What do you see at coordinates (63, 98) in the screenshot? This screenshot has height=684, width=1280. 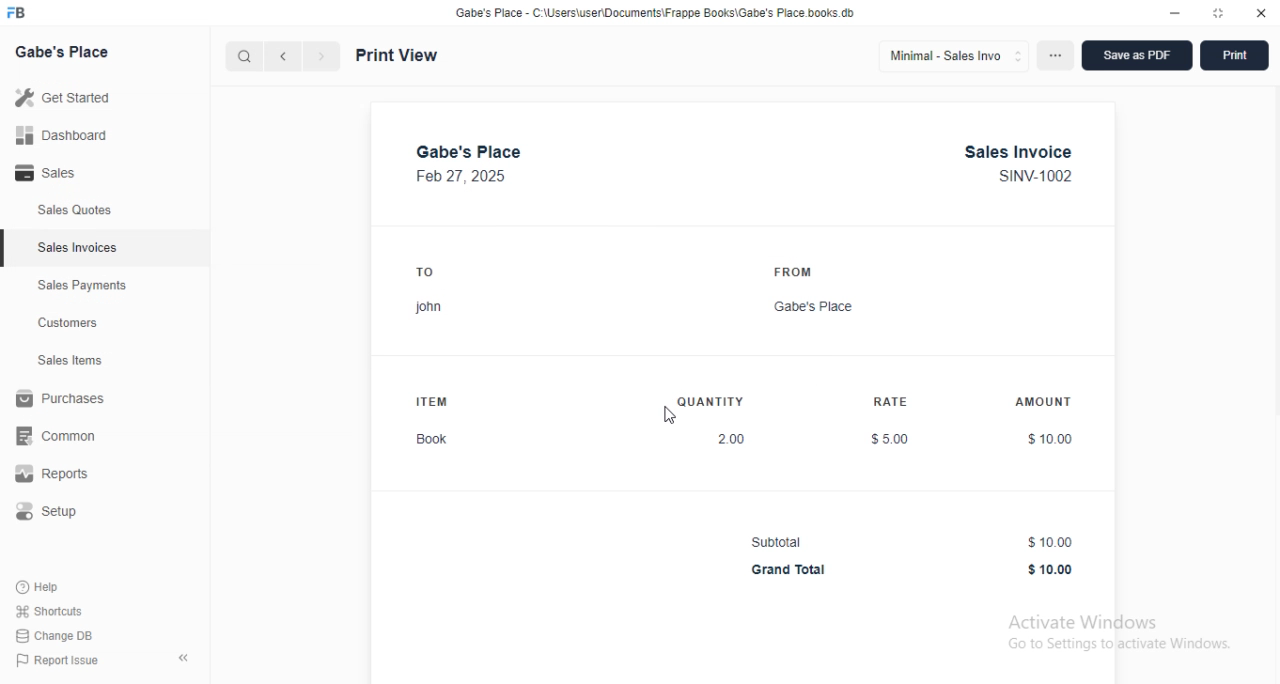 I see `get started` at bounding box center [63, 98].